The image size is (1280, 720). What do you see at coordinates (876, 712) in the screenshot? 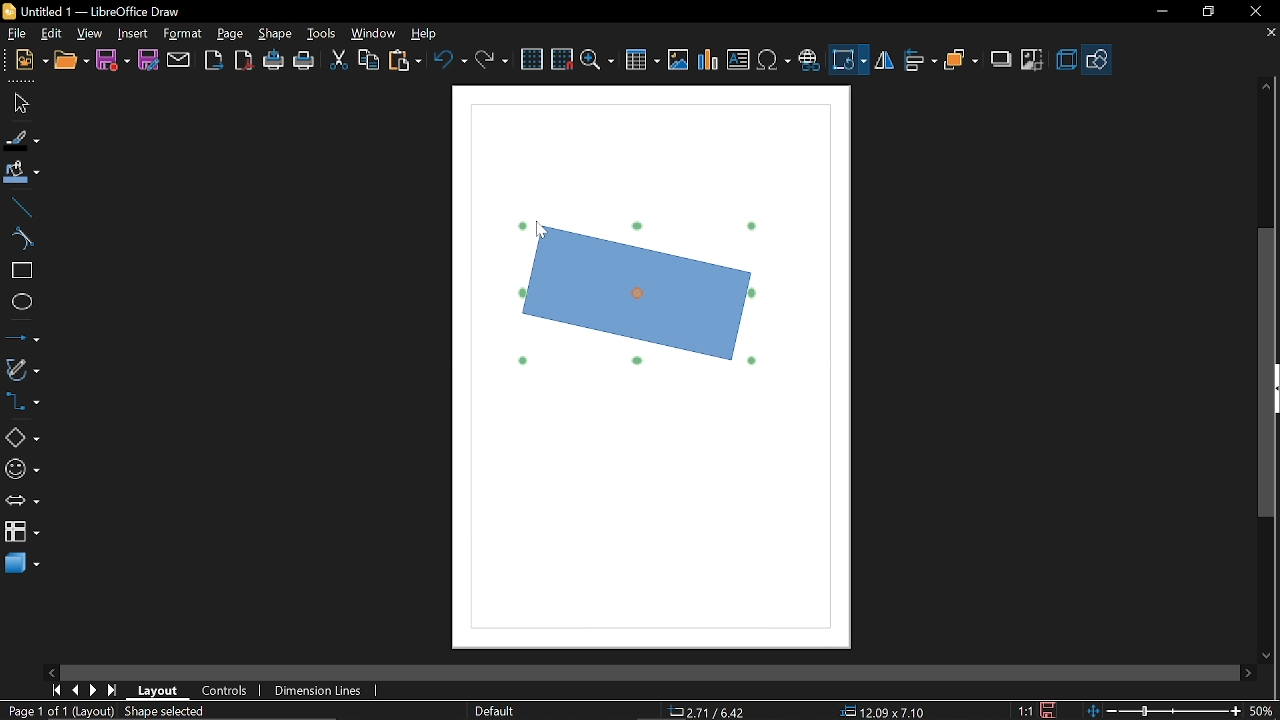
I see `0.00x0.00` at bounding box center [876, 712].